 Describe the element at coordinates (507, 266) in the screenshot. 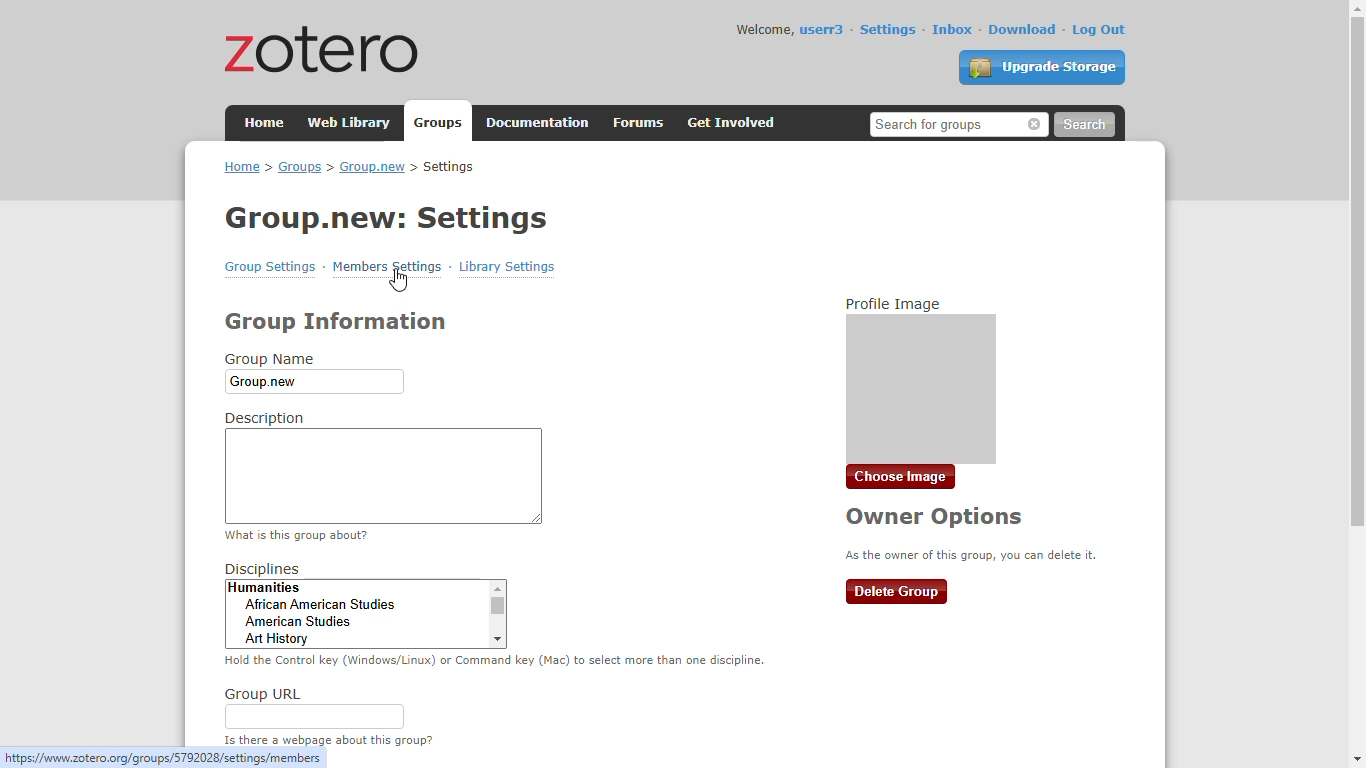

I see `library settings` at that location.